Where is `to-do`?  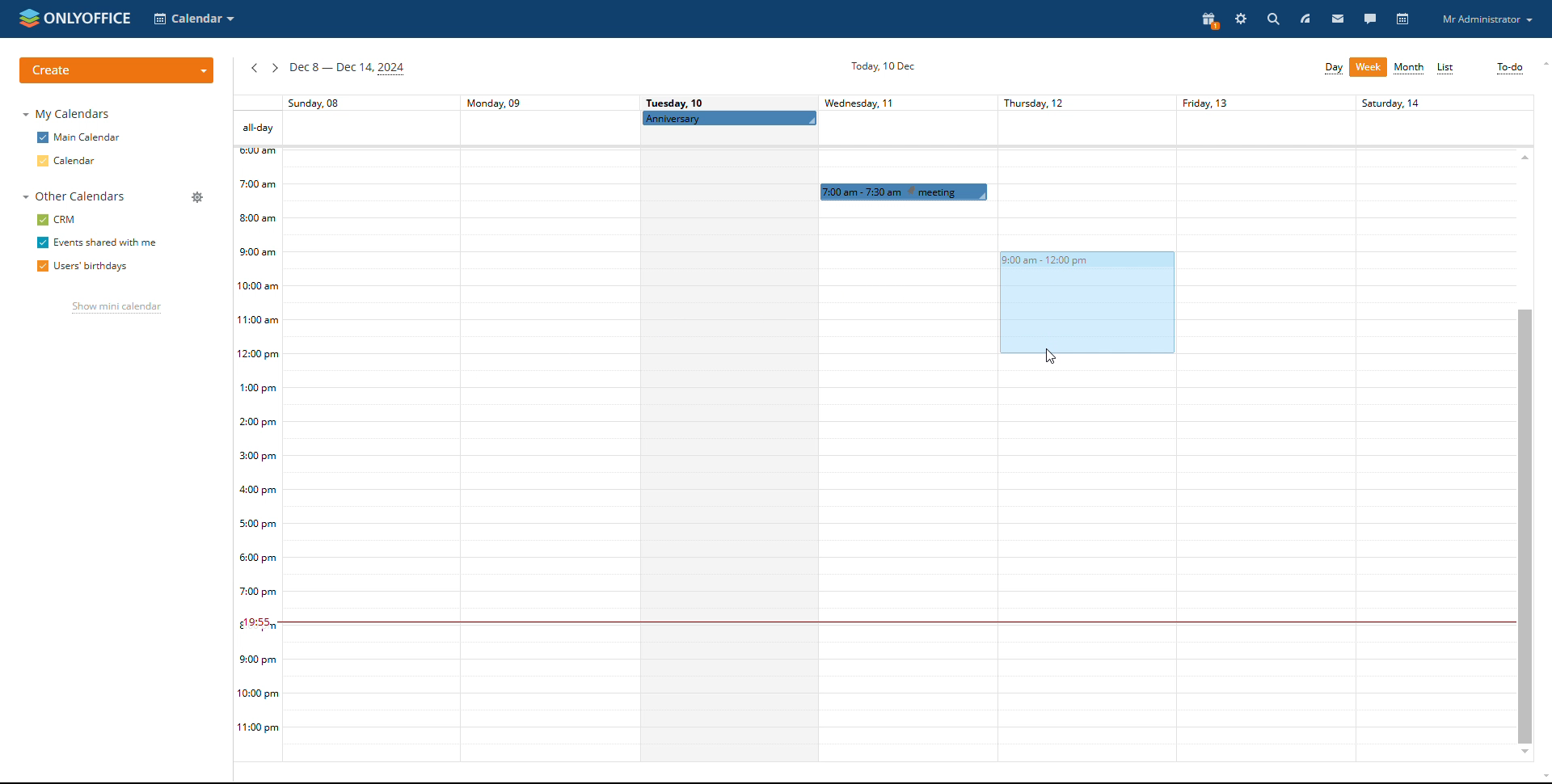
to-do is located at coordinates (1509, 68).